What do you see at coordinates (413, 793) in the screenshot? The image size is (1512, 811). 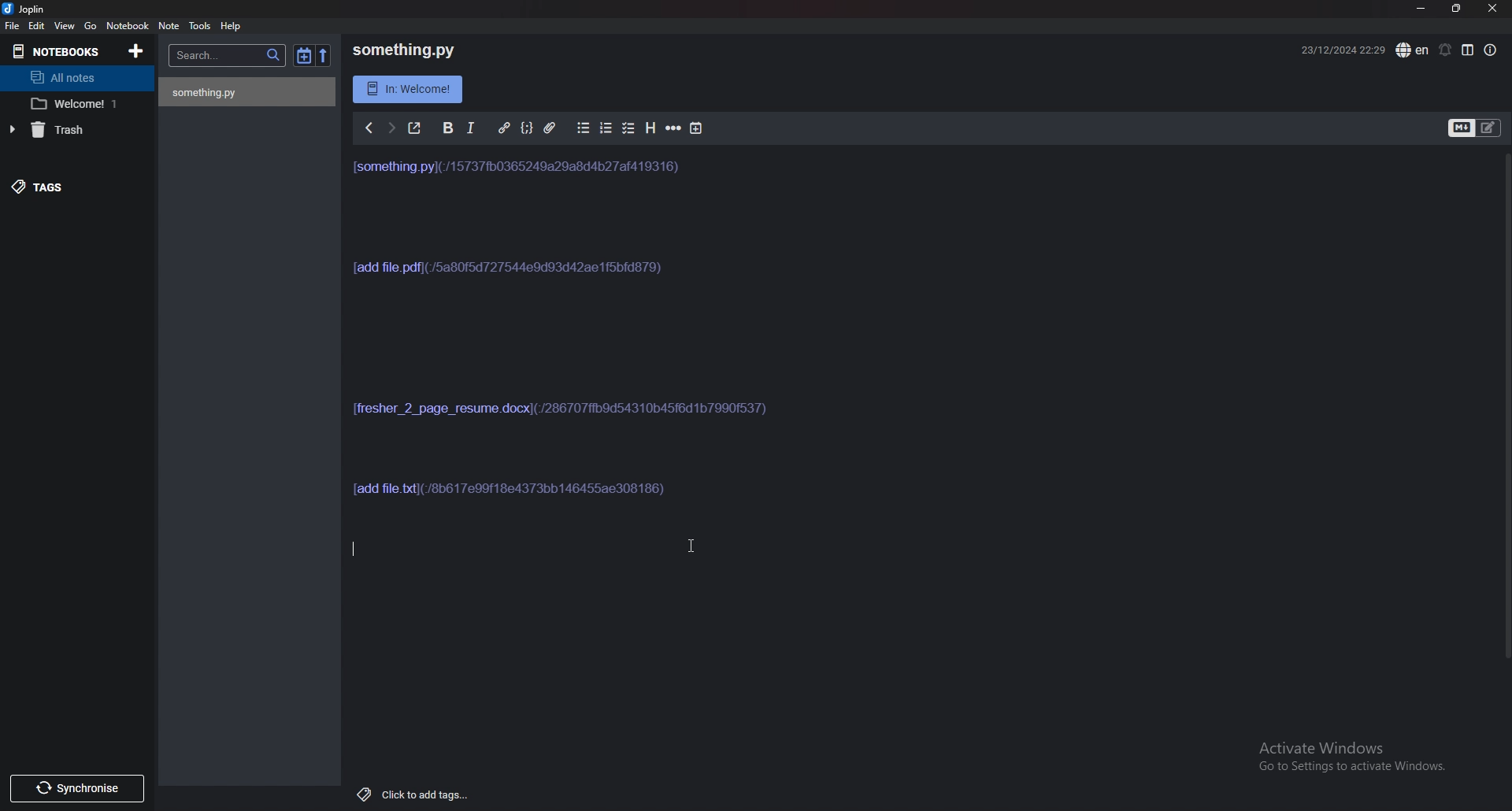 I see `add tags` at bounding box center [413, 793].